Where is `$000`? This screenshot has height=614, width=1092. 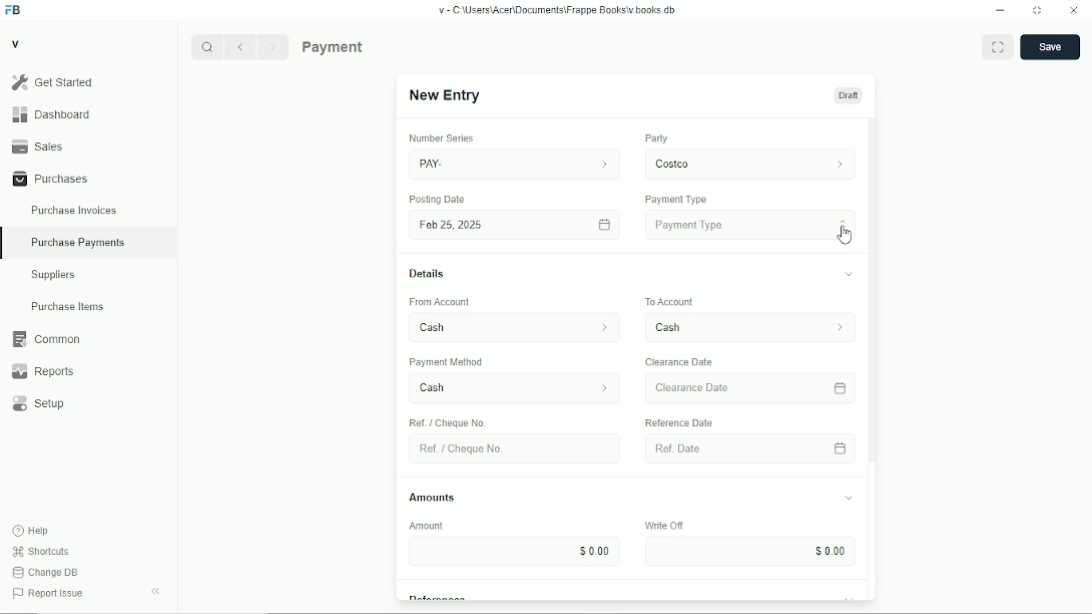 $000 is located at coordinates (519, 551).